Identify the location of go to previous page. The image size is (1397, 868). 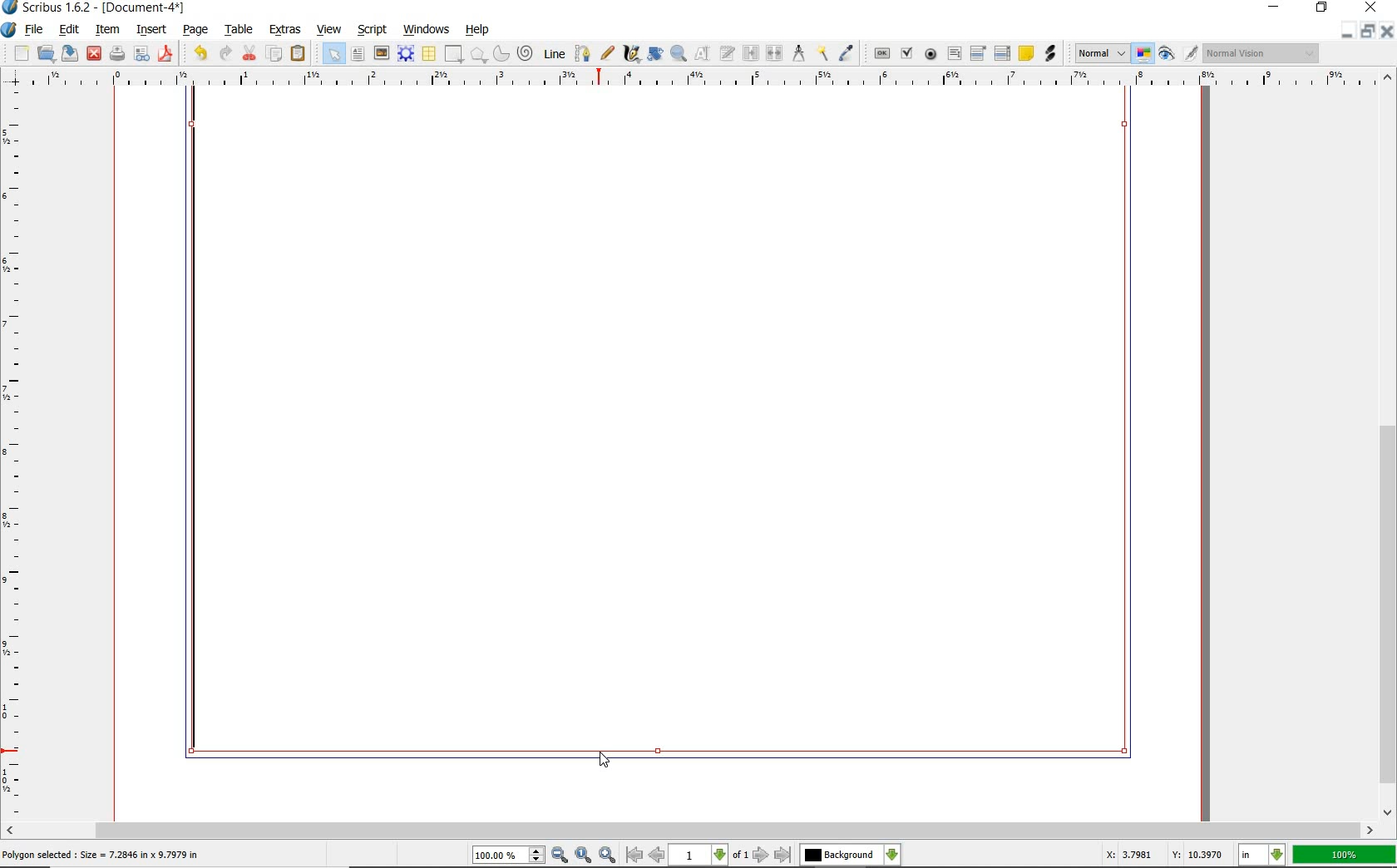
(658, 856).